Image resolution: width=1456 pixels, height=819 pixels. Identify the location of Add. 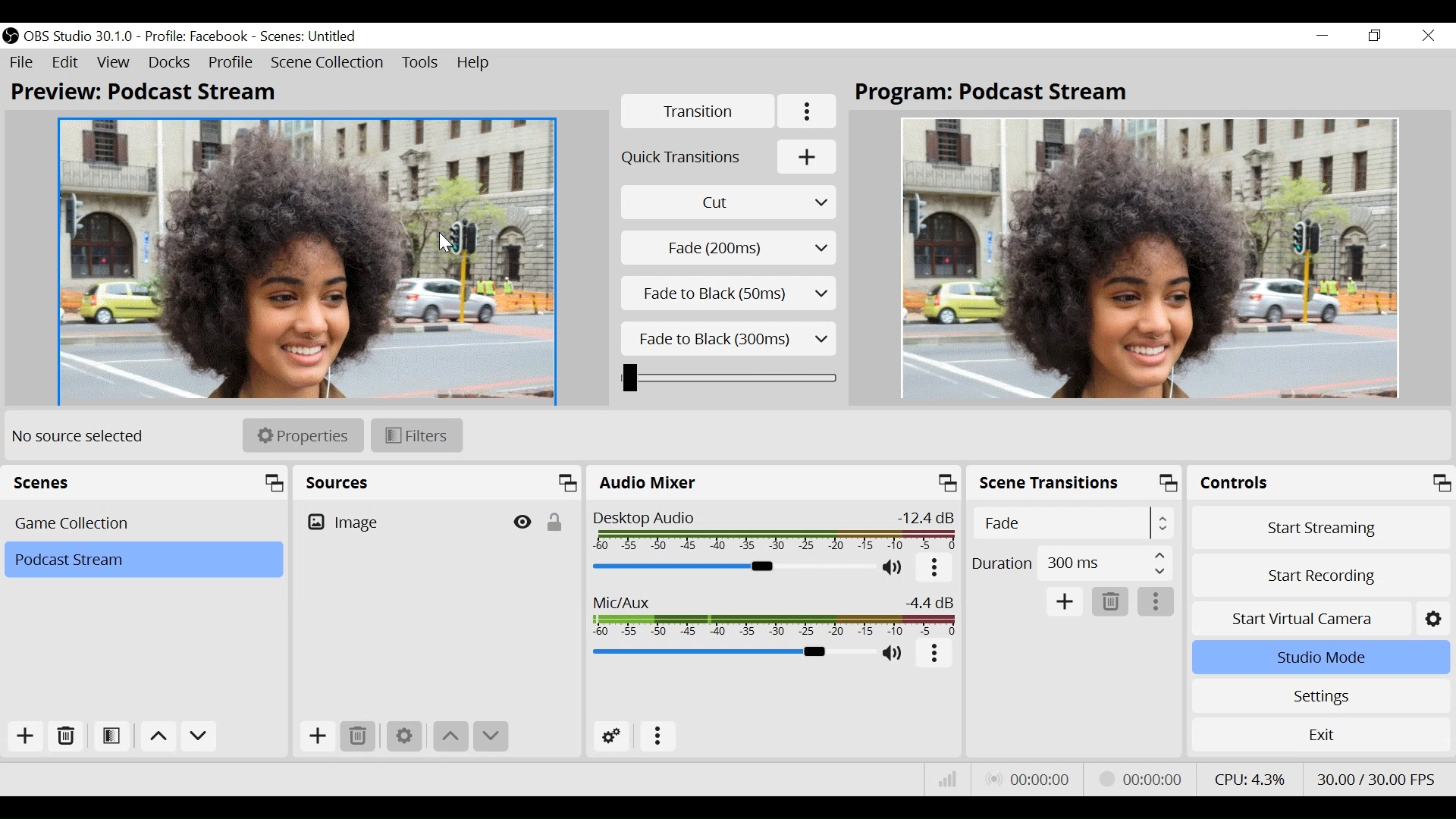
(319, 736).